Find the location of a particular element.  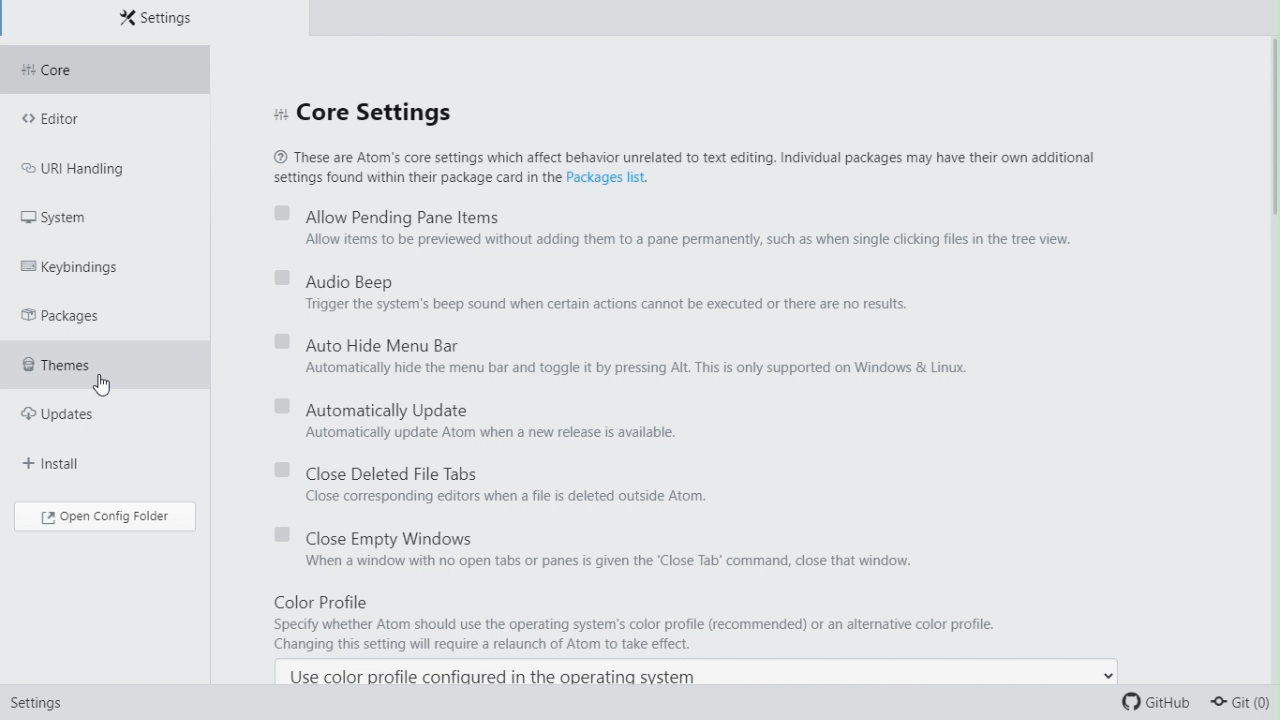

Automatically hide the menu bar and toggle it by pressing Alt. This is only supported on Windows & Linux. is located at coordinates (642, 369).